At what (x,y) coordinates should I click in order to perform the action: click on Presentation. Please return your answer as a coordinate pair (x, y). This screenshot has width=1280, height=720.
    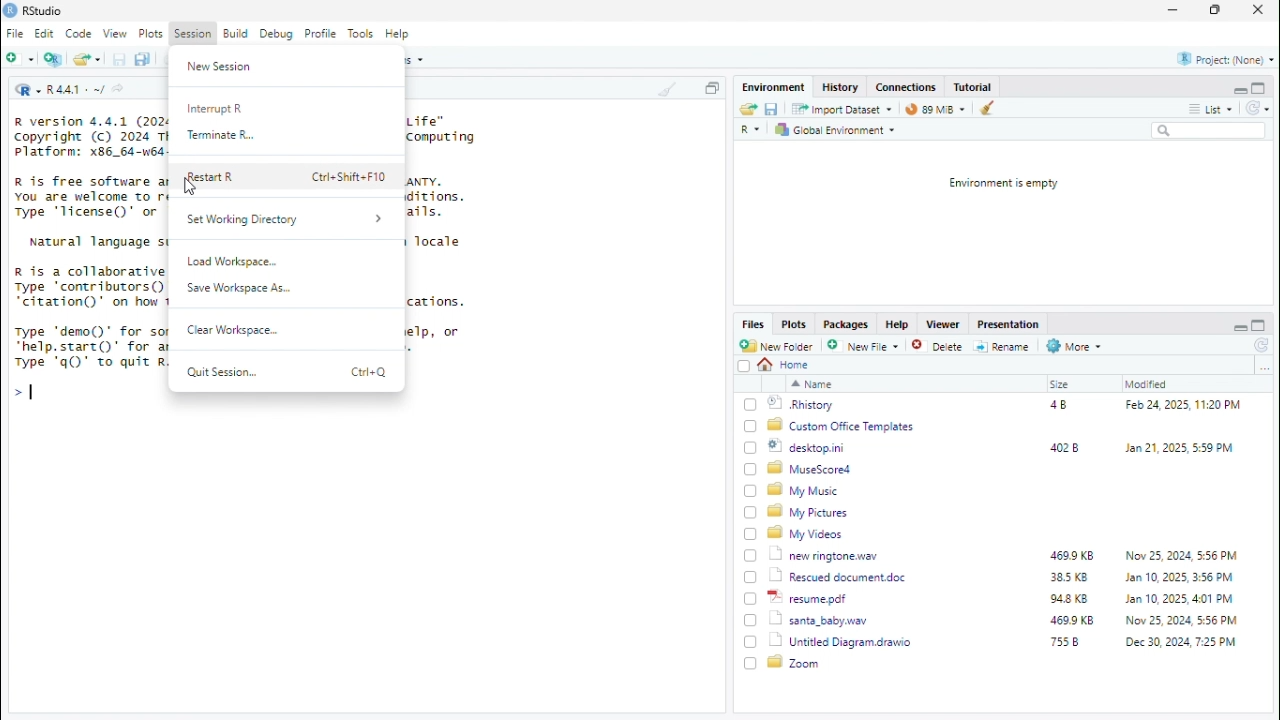
    Looking at the image, I should click on (1011, 325).